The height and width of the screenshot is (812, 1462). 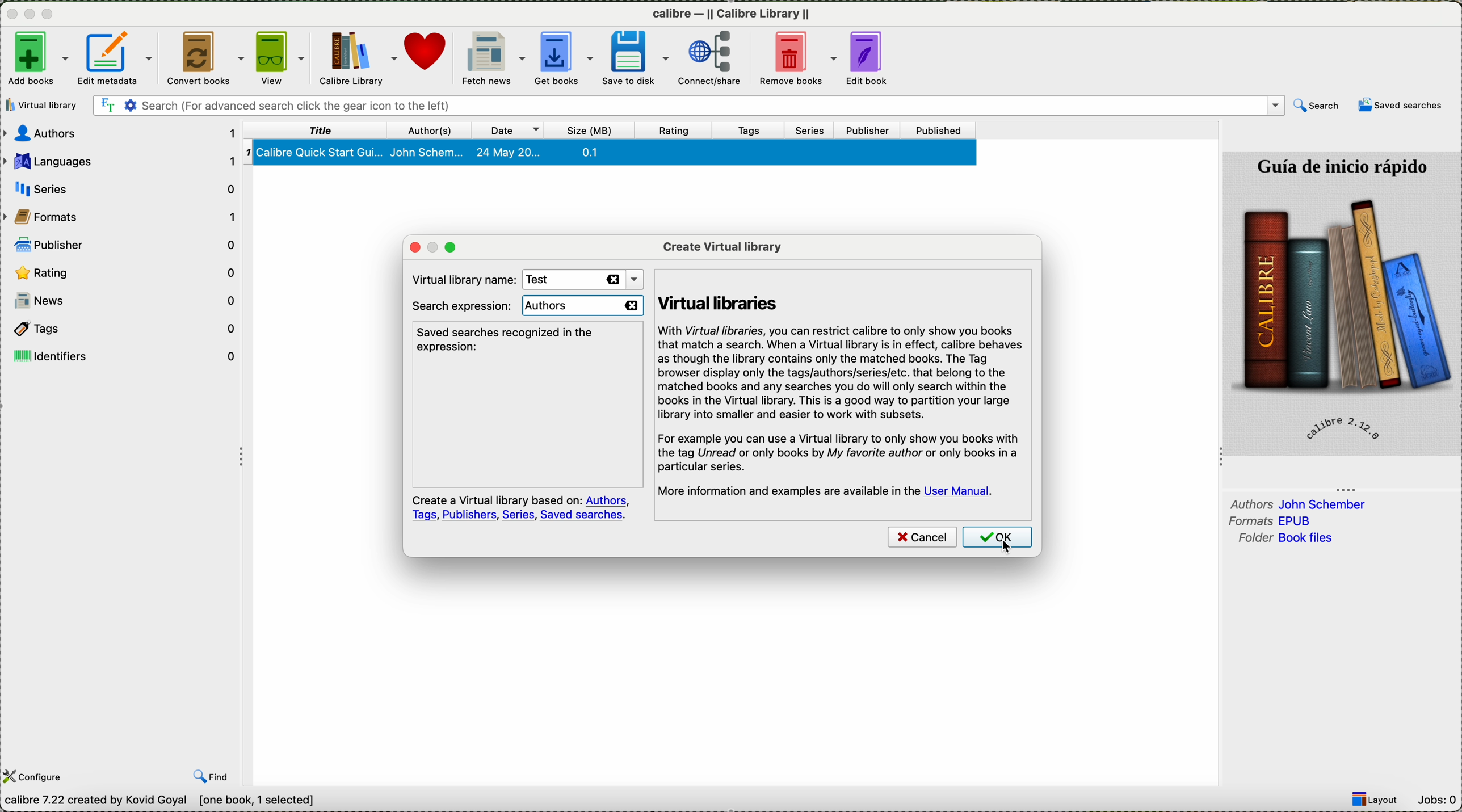 What do you see at coordinates (433, 129) in the screenshot?
I see `authors` at bounding box center [433, 129].